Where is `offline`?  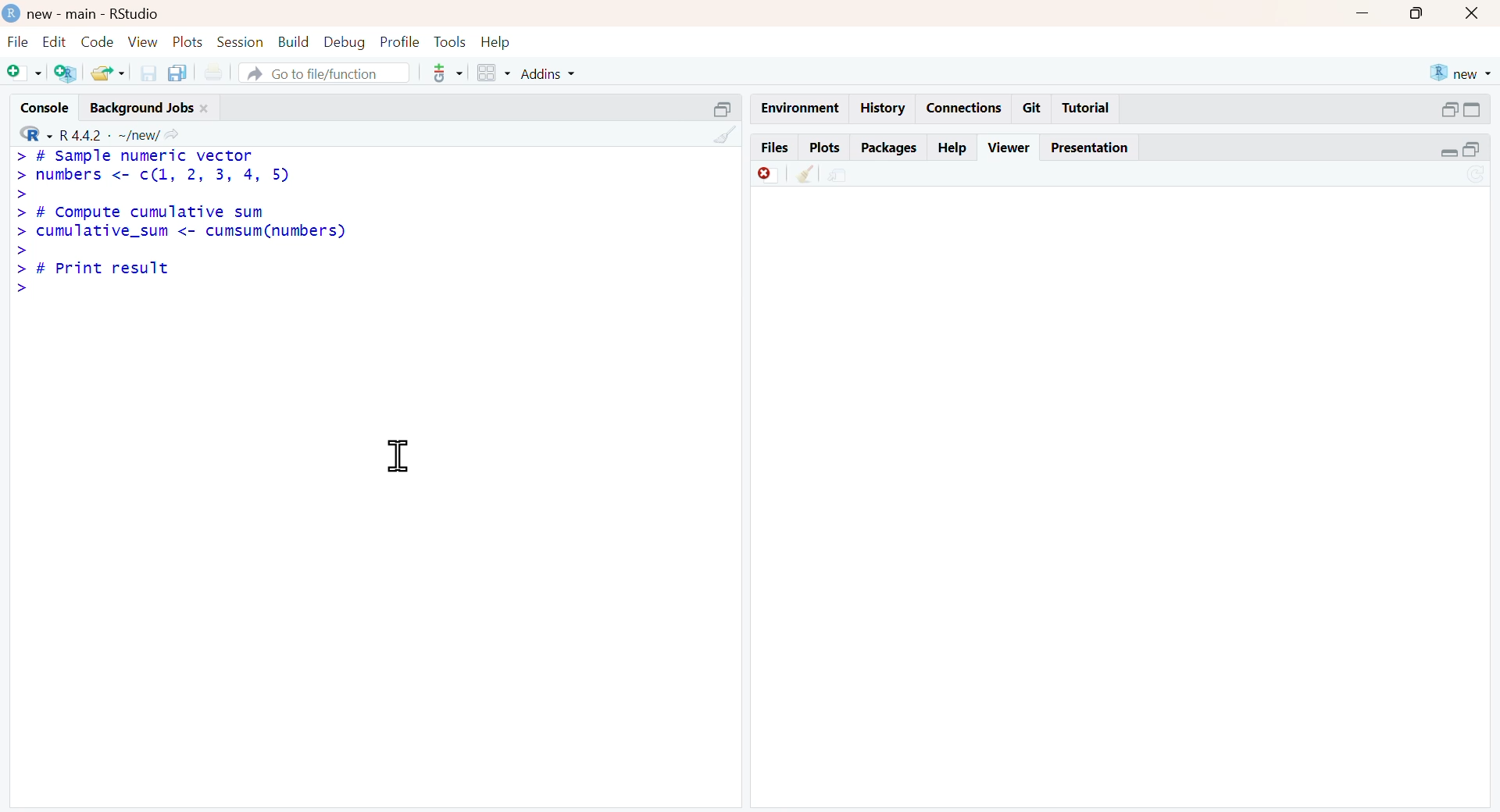
offline is located at coordinates (768, 173).